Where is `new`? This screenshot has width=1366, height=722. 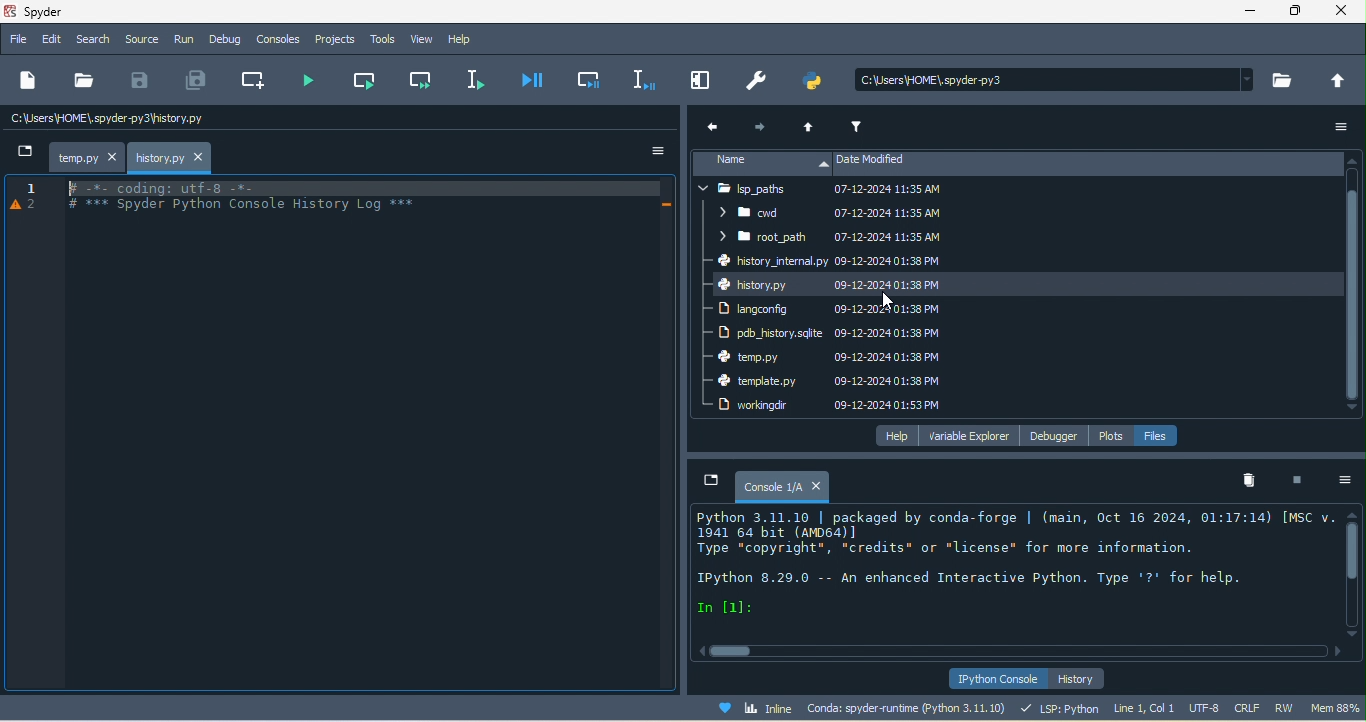
new is located at coordinates (34, 80).